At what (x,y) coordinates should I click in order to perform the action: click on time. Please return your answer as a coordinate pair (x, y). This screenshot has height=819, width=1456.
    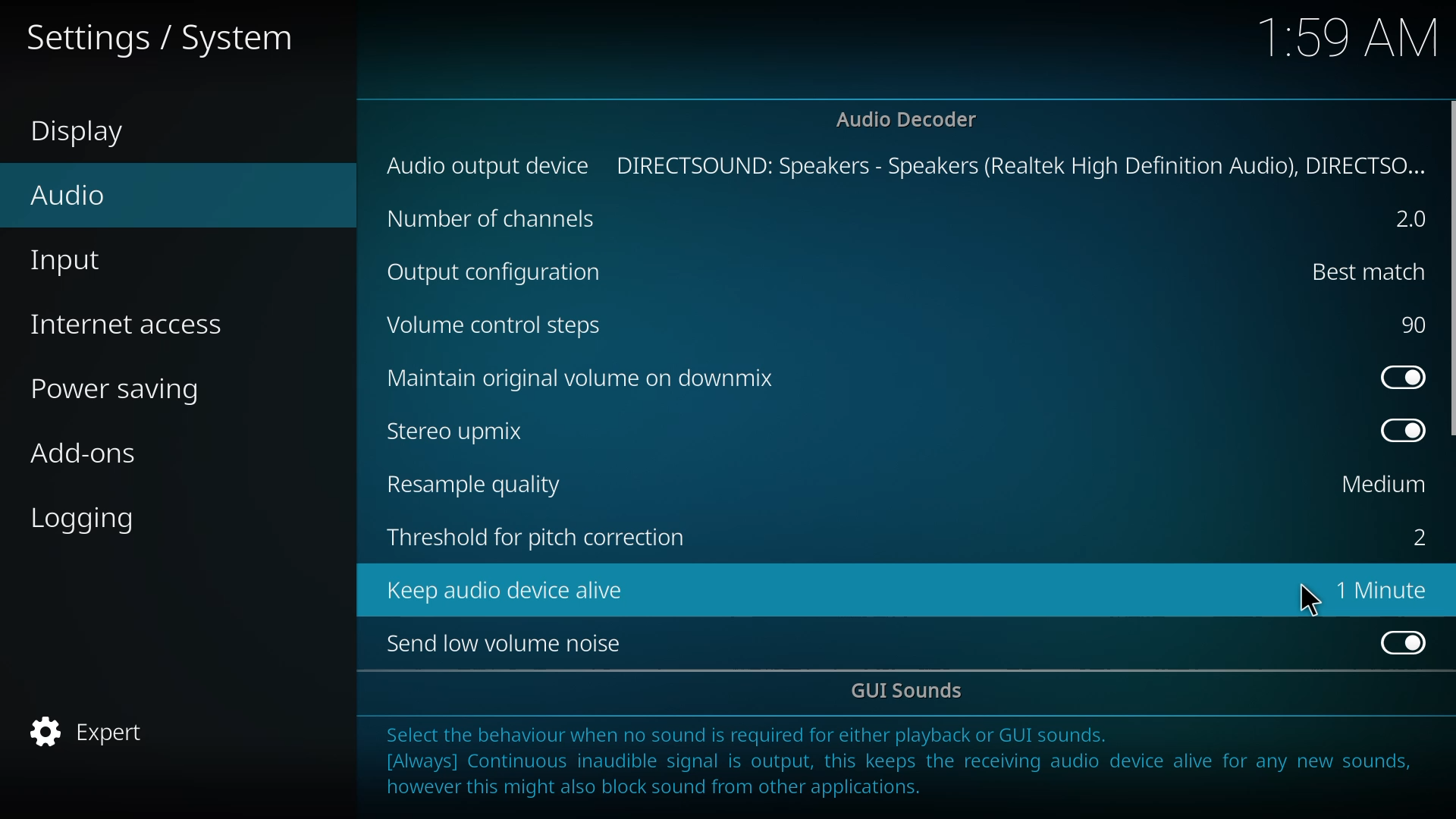
    Looking at the image, I should click on (1351, 37).